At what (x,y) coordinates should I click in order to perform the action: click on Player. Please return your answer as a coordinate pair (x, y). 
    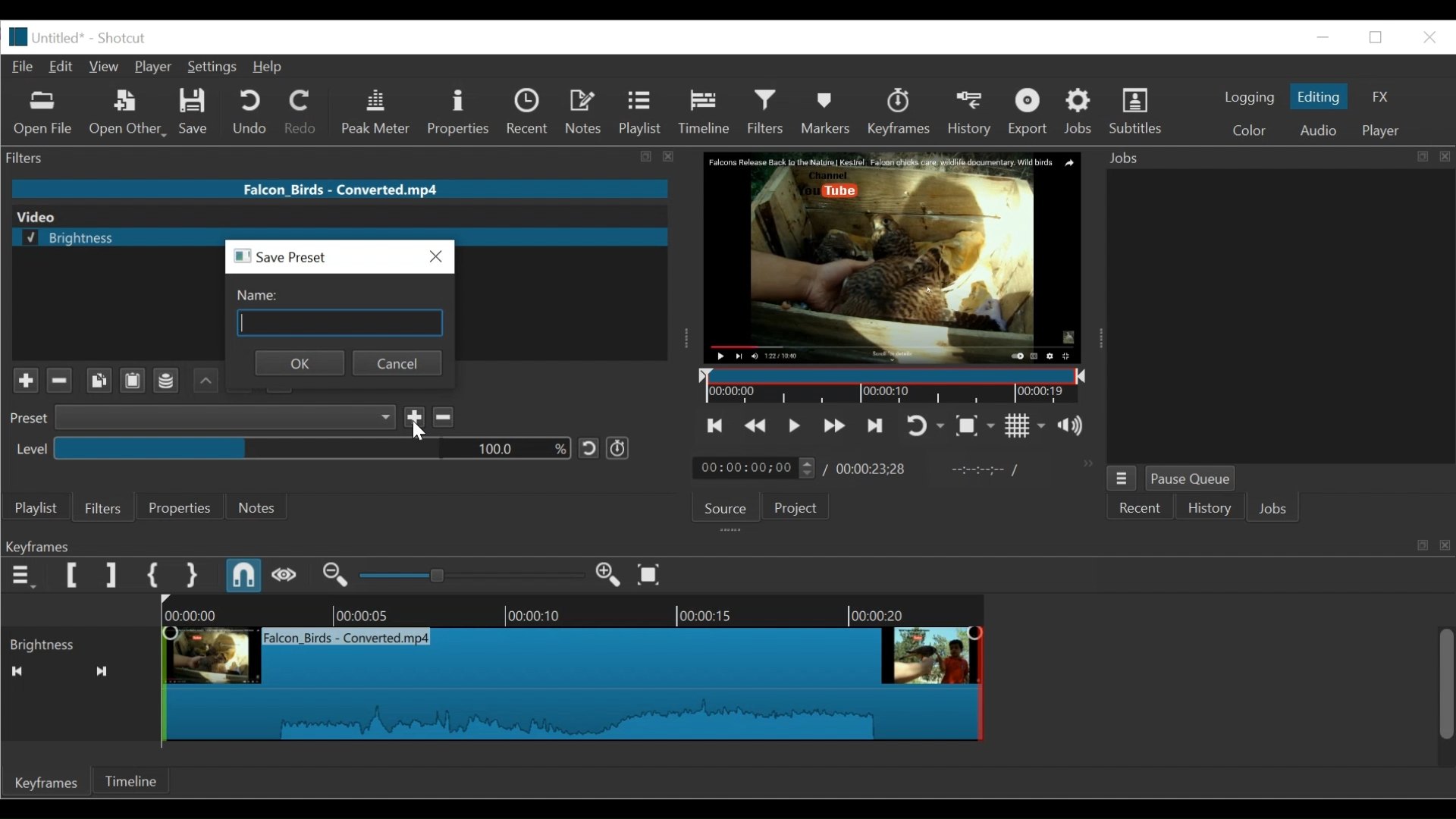
    Looking at the image, I should click on (153, 67).